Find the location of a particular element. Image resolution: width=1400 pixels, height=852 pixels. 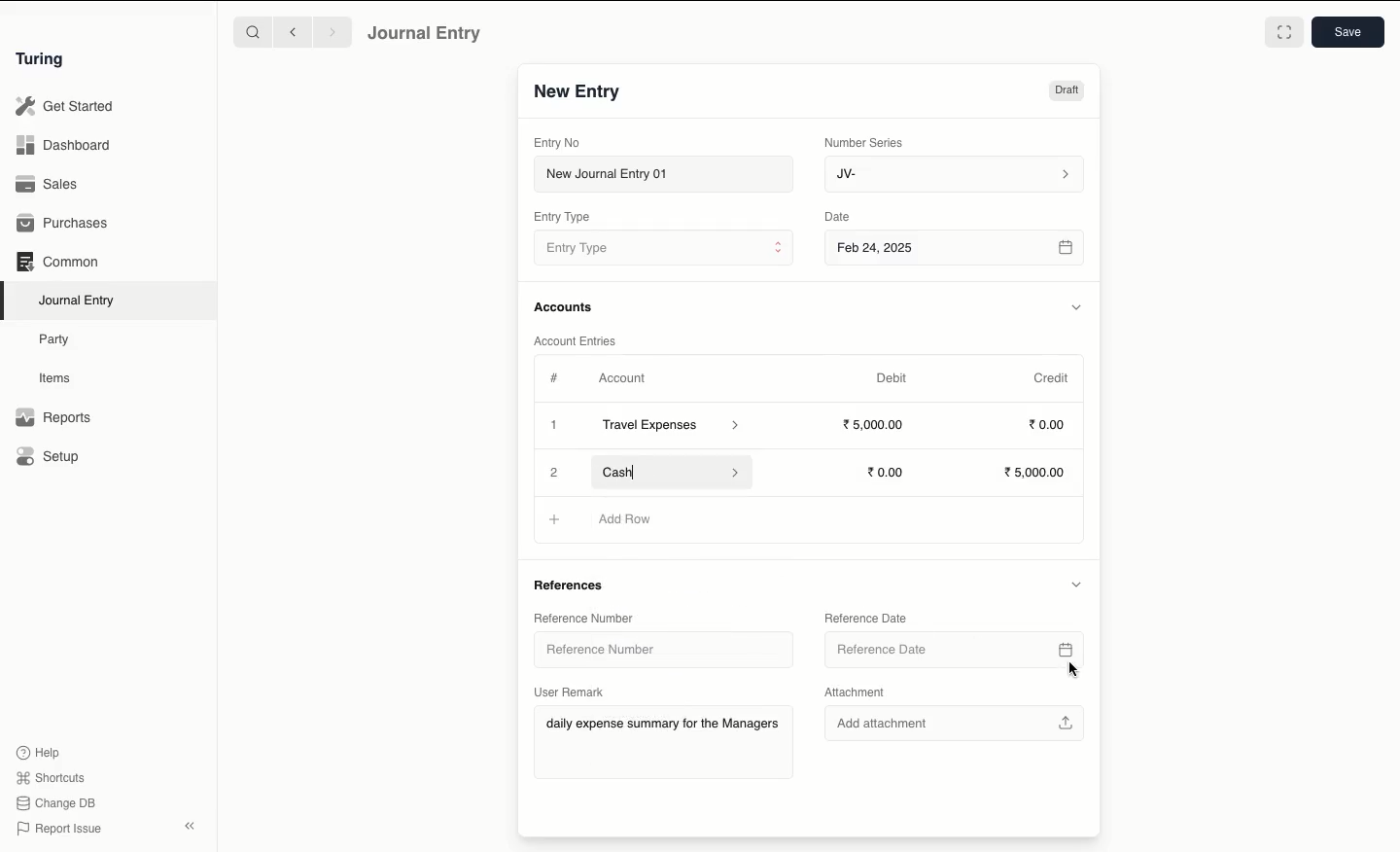

Entry Type is located at coordinates (663, 247).